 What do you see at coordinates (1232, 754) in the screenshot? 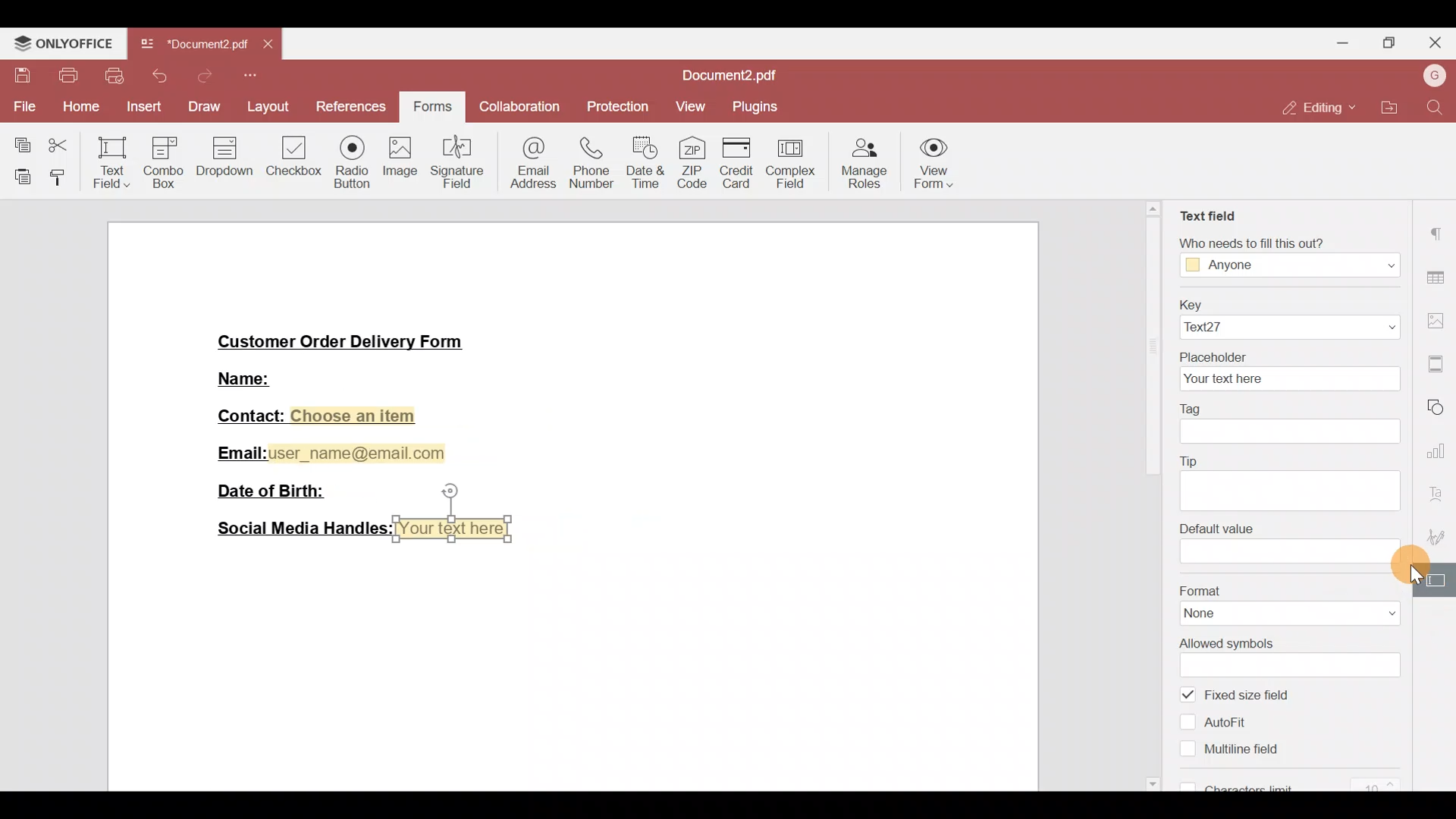
I see `Multiline field` at bounding box center [1232, 754].